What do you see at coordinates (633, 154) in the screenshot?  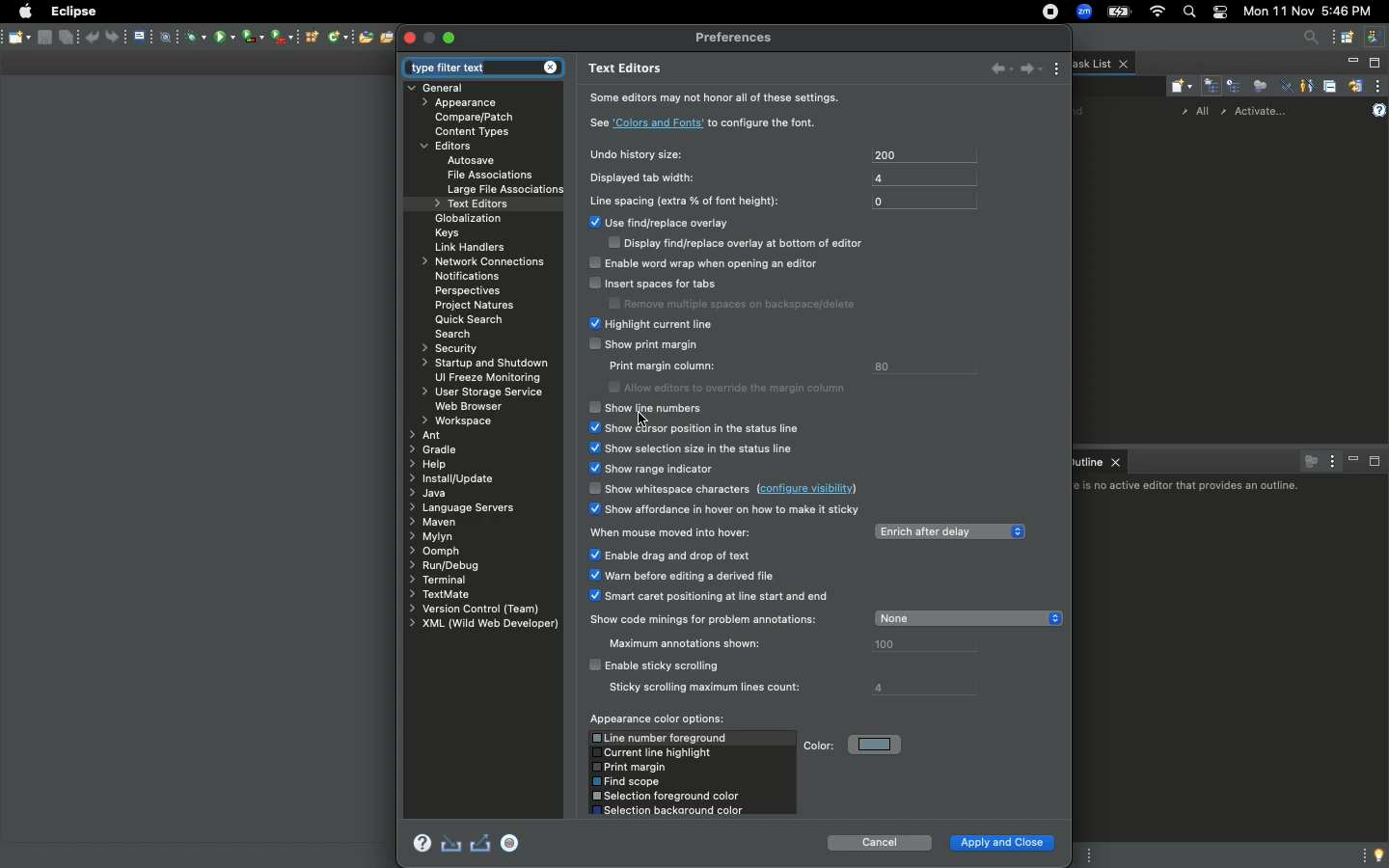 I see `Undo history size` at bounding box center [633, 154].